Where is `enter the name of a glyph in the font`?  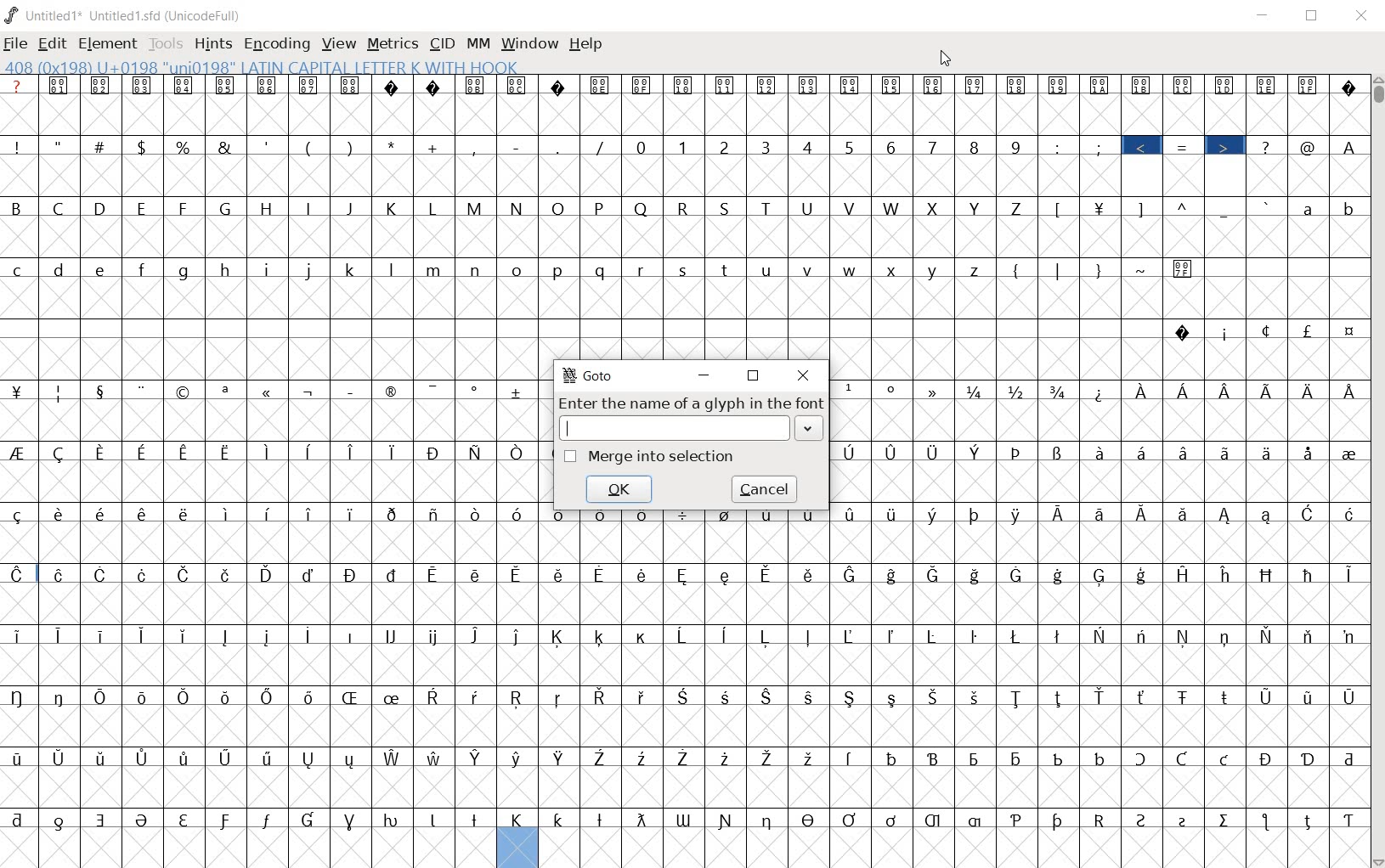
enter the name of a glyph in the font is located at coordinates (690, 403).